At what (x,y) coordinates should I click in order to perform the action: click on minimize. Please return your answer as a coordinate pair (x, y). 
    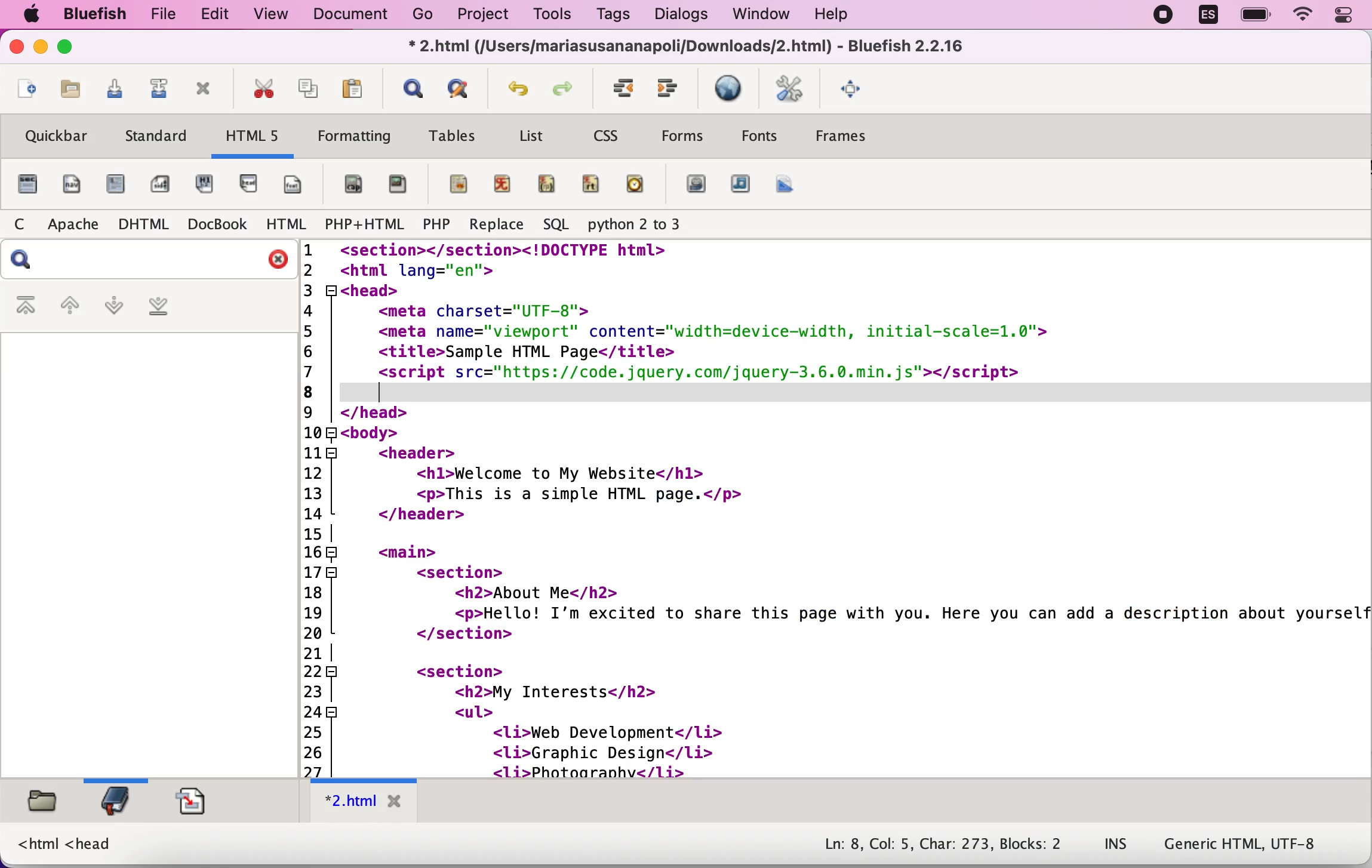
    Looking at the image, I should click on (41, 49).